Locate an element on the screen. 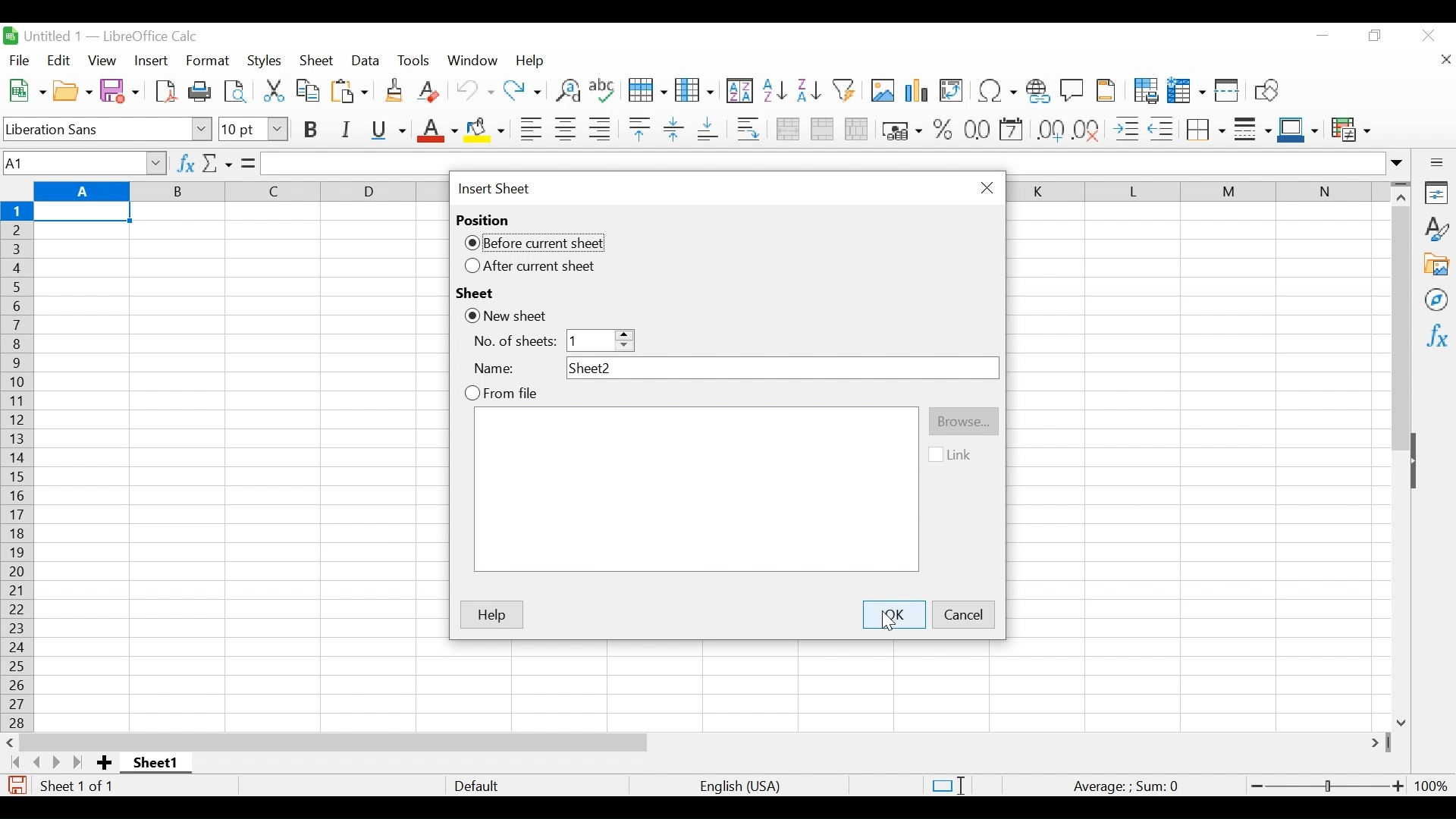 Image resolution: width=1456 pixels, height=819 pixels. Format as currency is located at coordinates (900, 130).